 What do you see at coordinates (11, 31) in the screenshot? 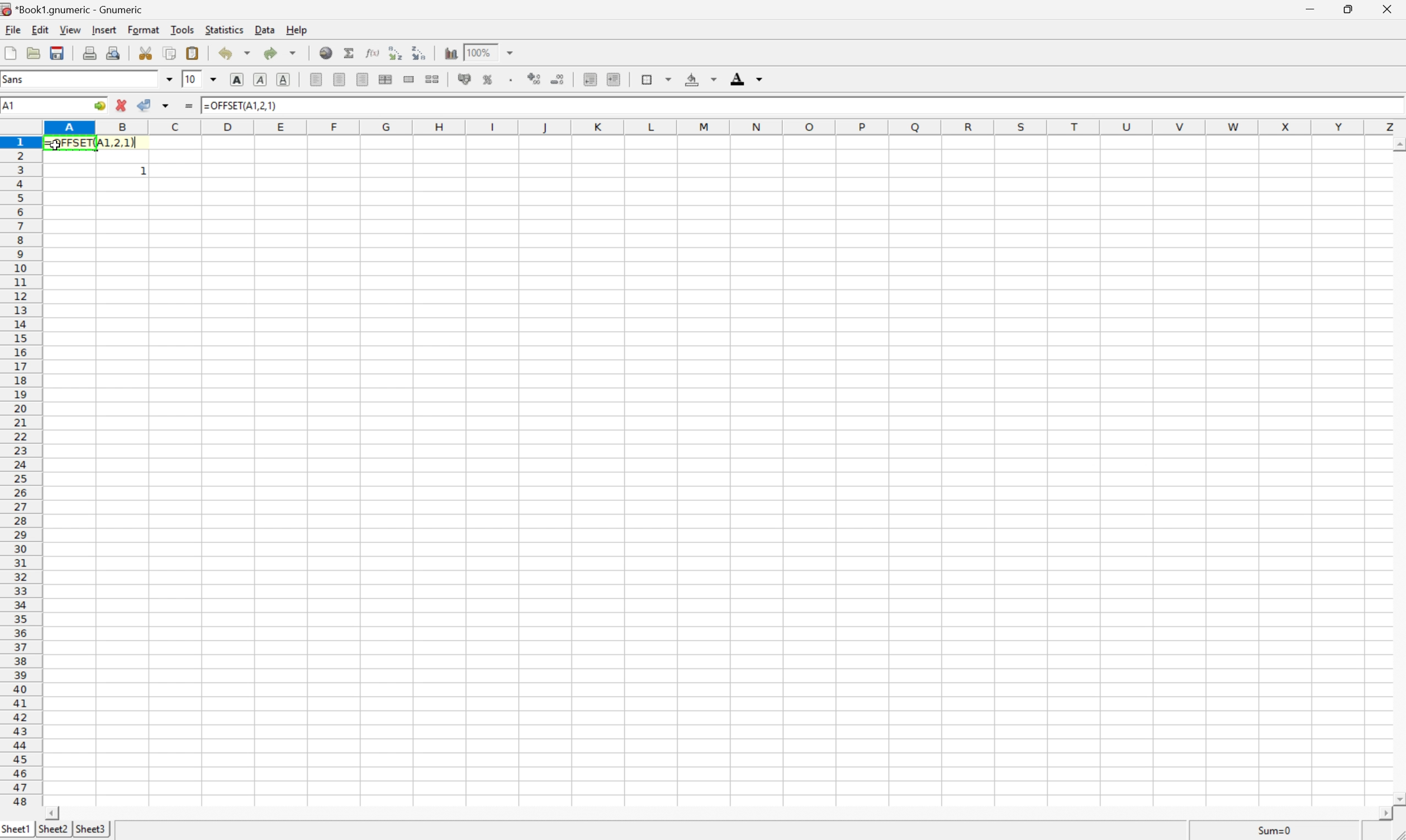
I see `` at bounding box center [11, 31].